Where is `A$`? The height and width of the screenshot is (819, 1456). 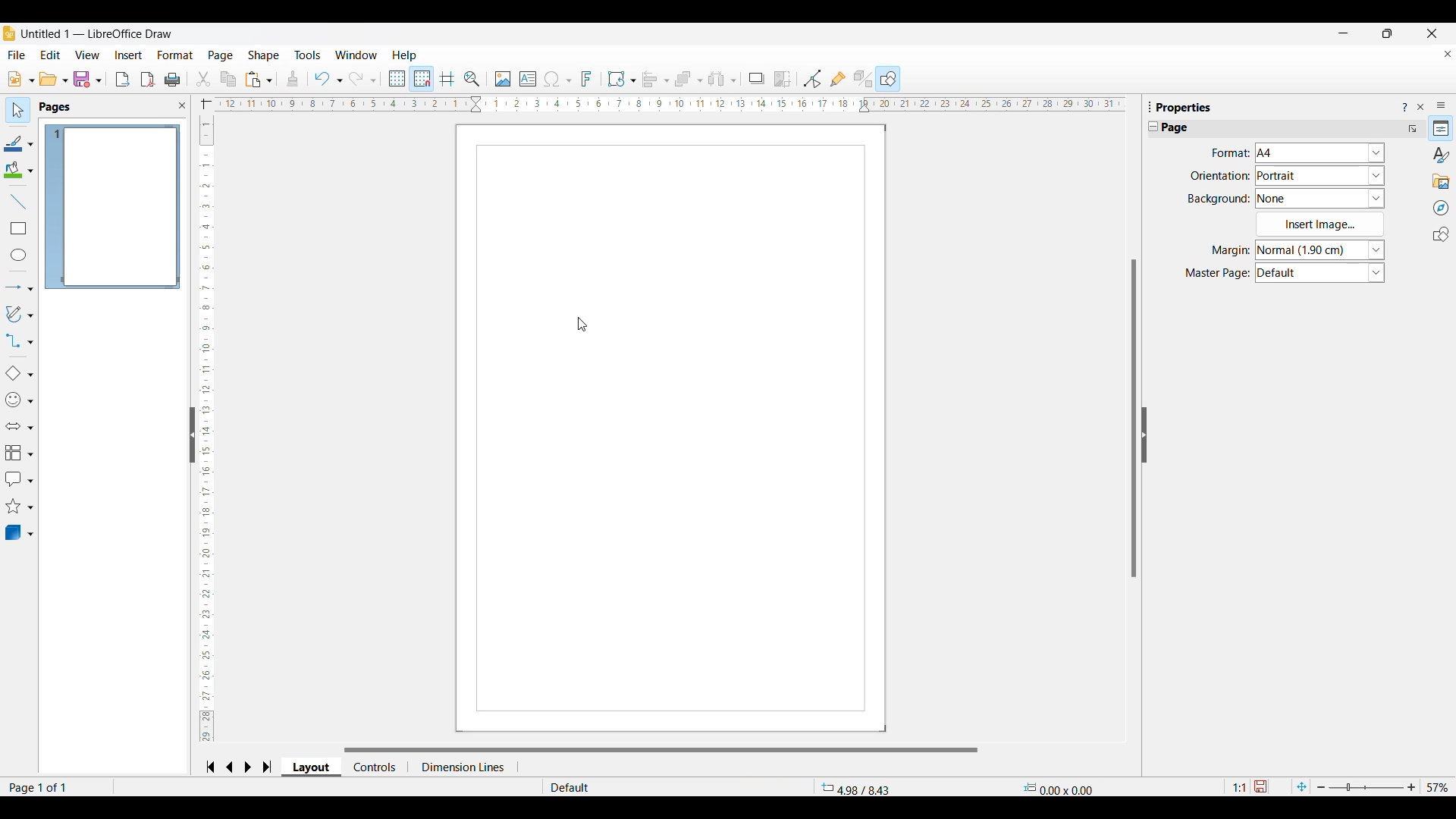 A$ is located at coordinates (1320, 152).